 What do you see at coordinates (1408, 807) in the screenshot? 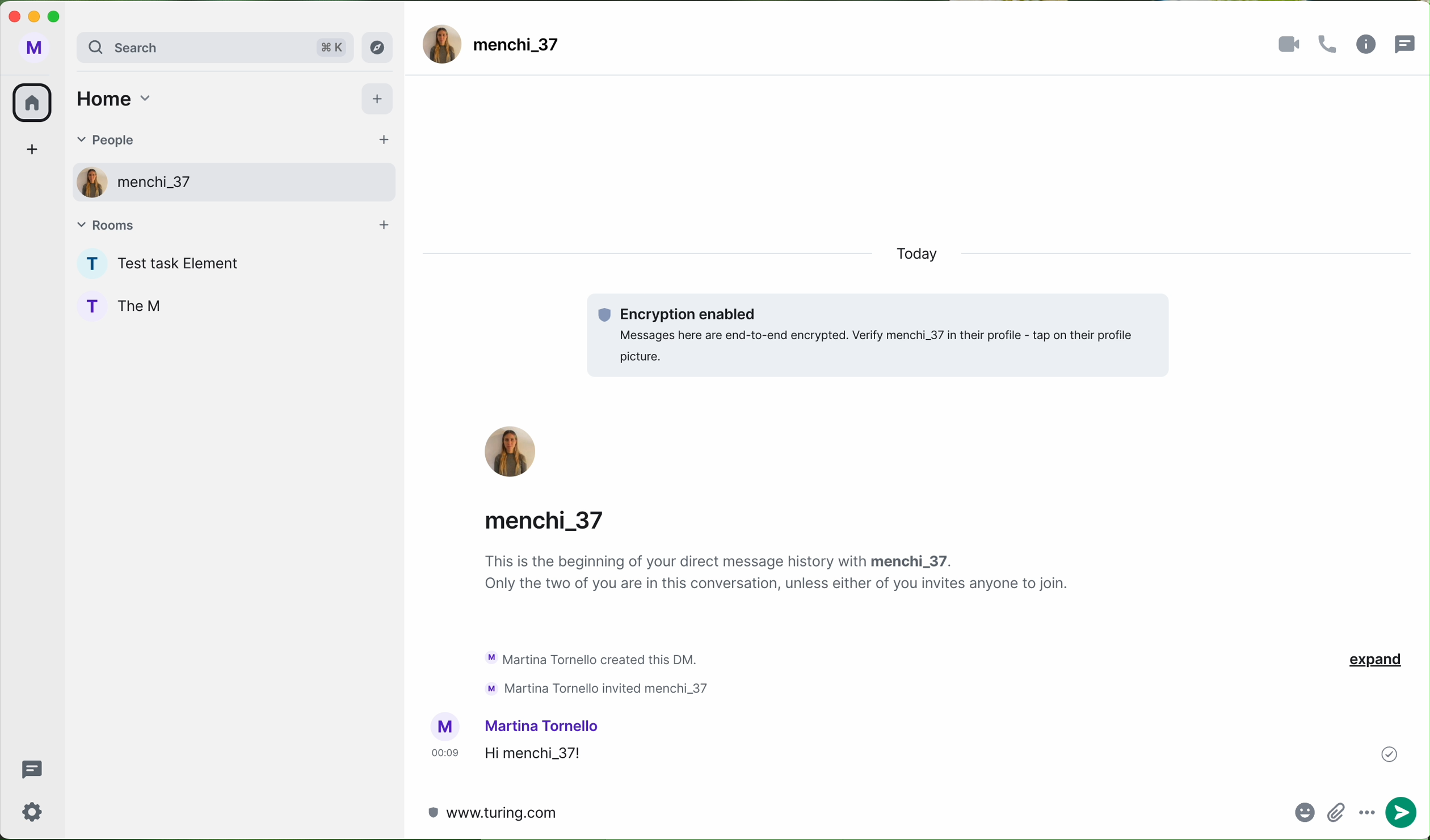
I see `send` at bounding box center [1408, 807].